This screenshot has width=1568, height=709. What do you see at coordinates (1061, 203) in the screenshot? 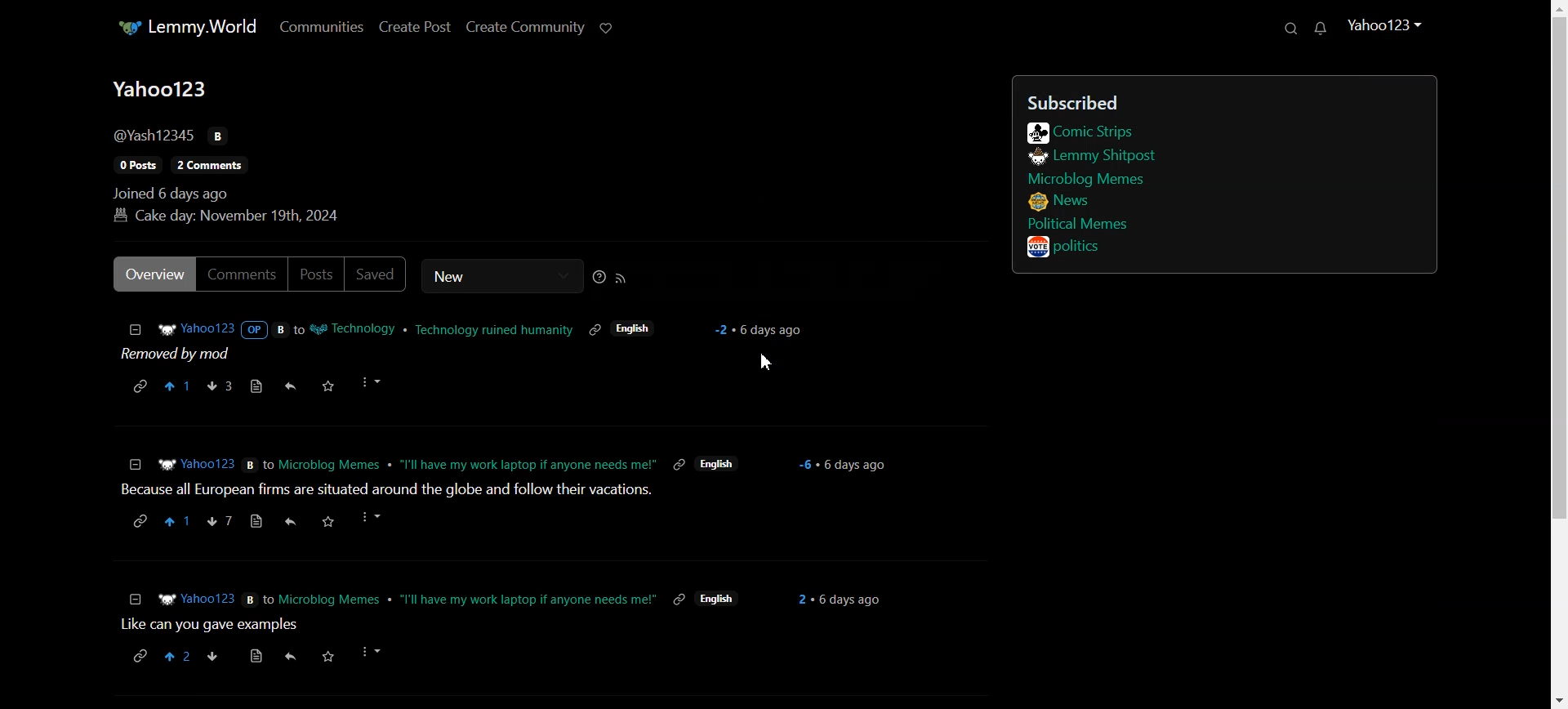
I see `news` at bounding box center [1061, 203].